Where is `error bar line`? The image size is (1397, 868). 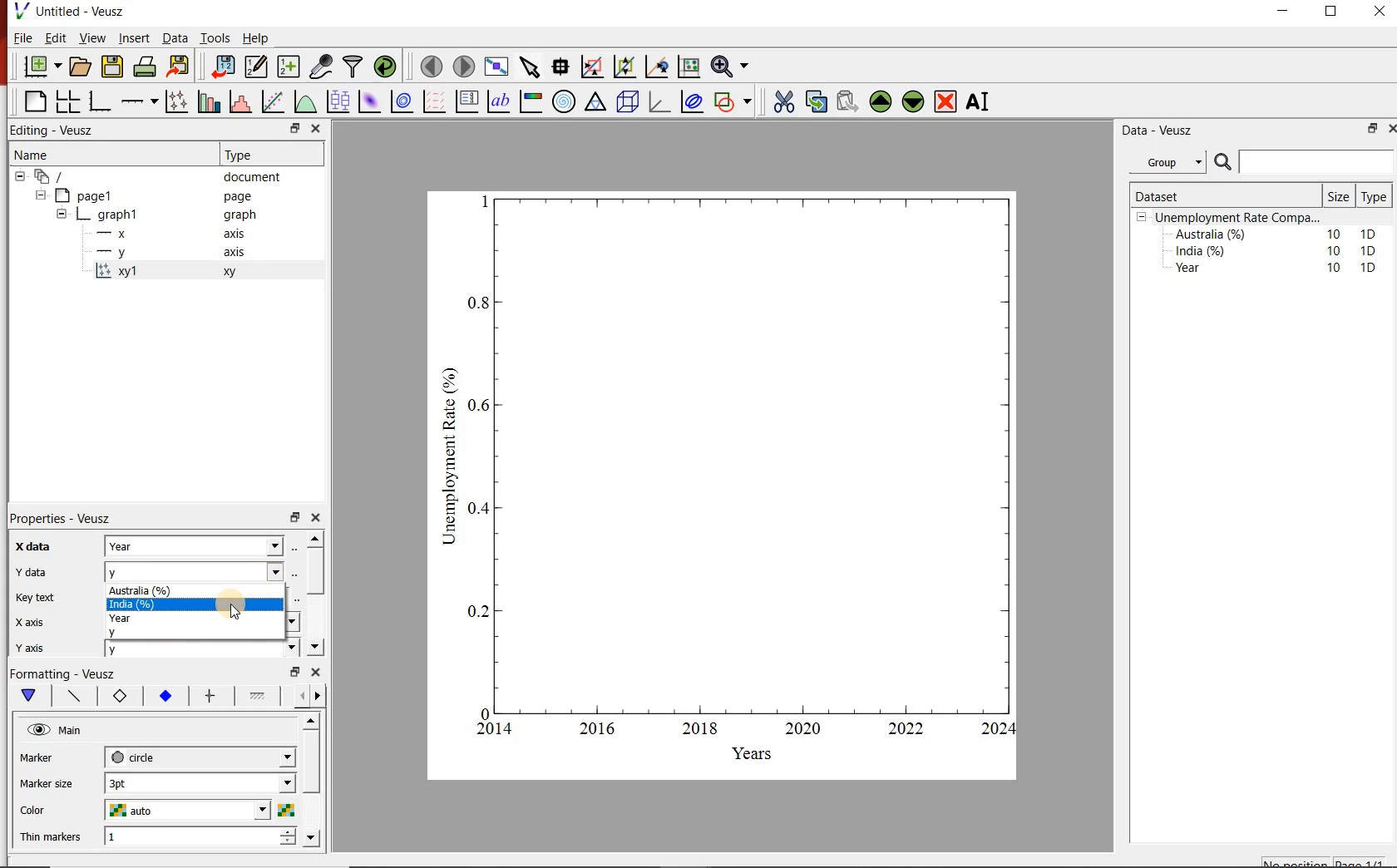 error bar line is located at coordinates (211, 696).